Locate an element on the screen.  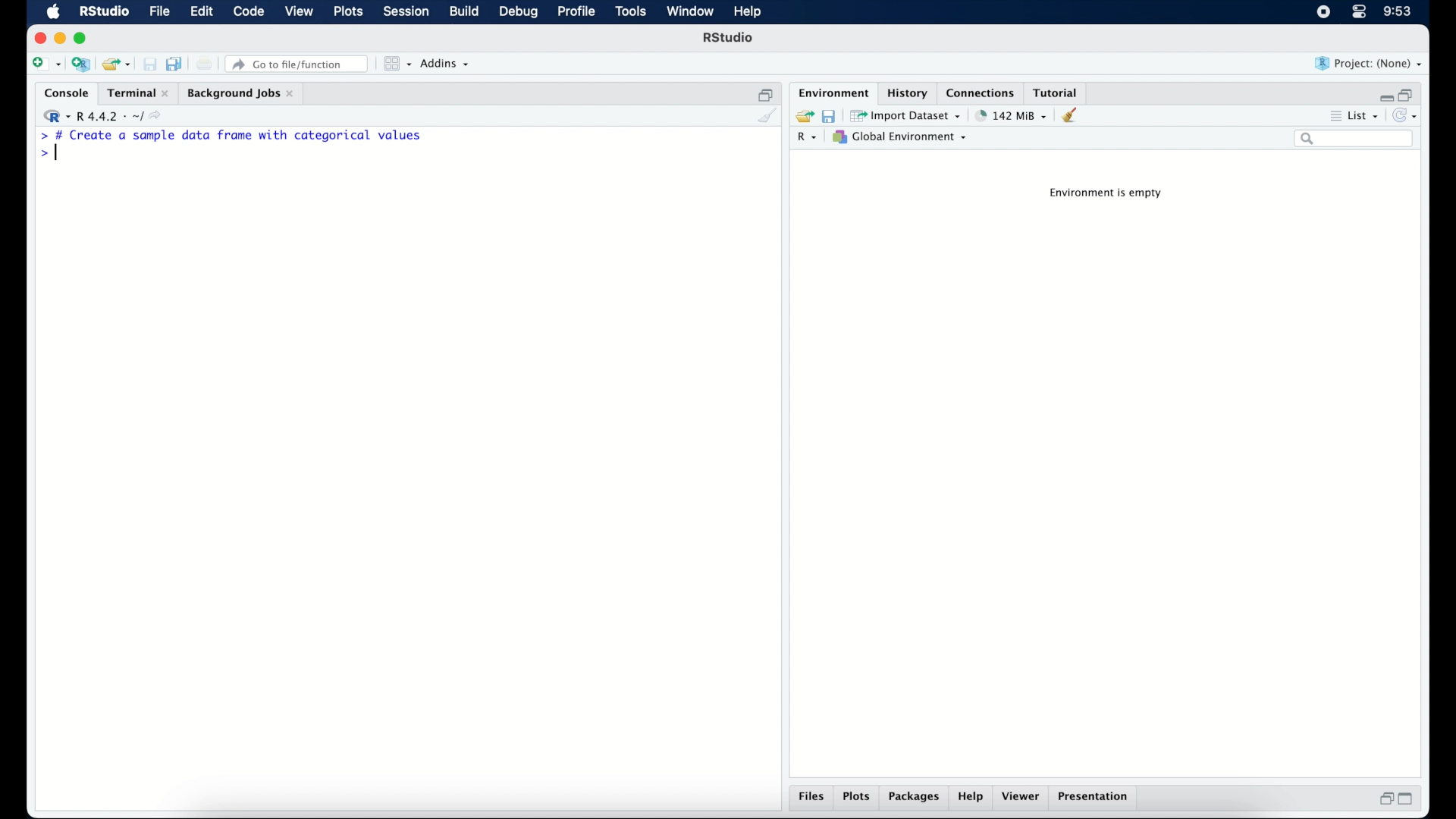
restore down is located at coordinates (764, 92).